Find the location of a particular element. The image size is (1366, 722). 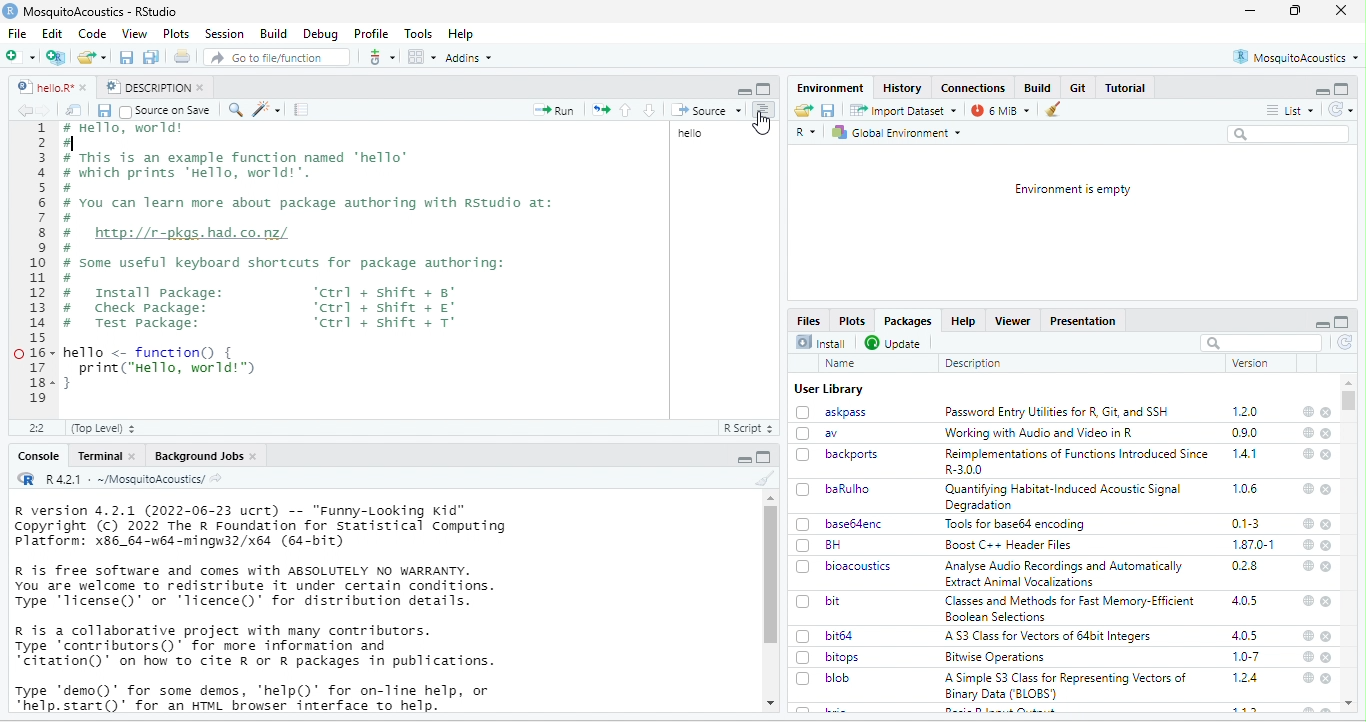

0.1-3 is located at coordinates (1246, 523).